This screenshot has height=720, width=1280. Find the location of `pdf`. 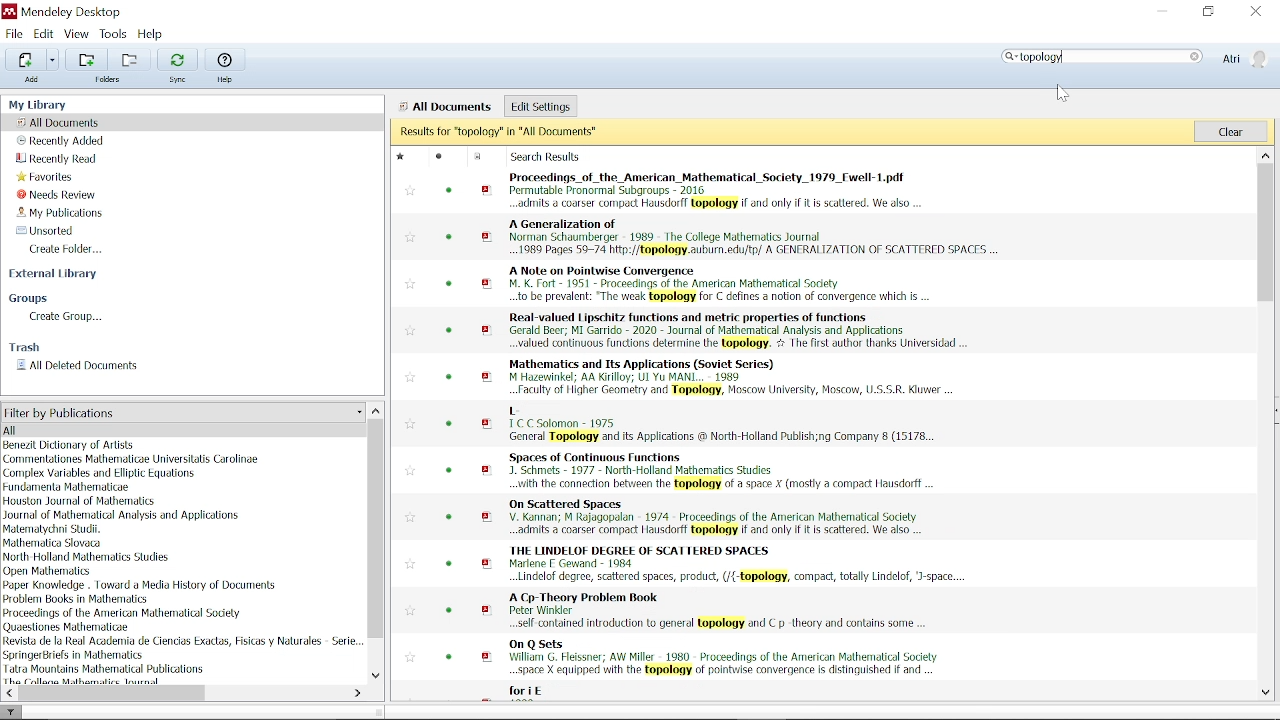

pdf is located at coordinates (487, 188).